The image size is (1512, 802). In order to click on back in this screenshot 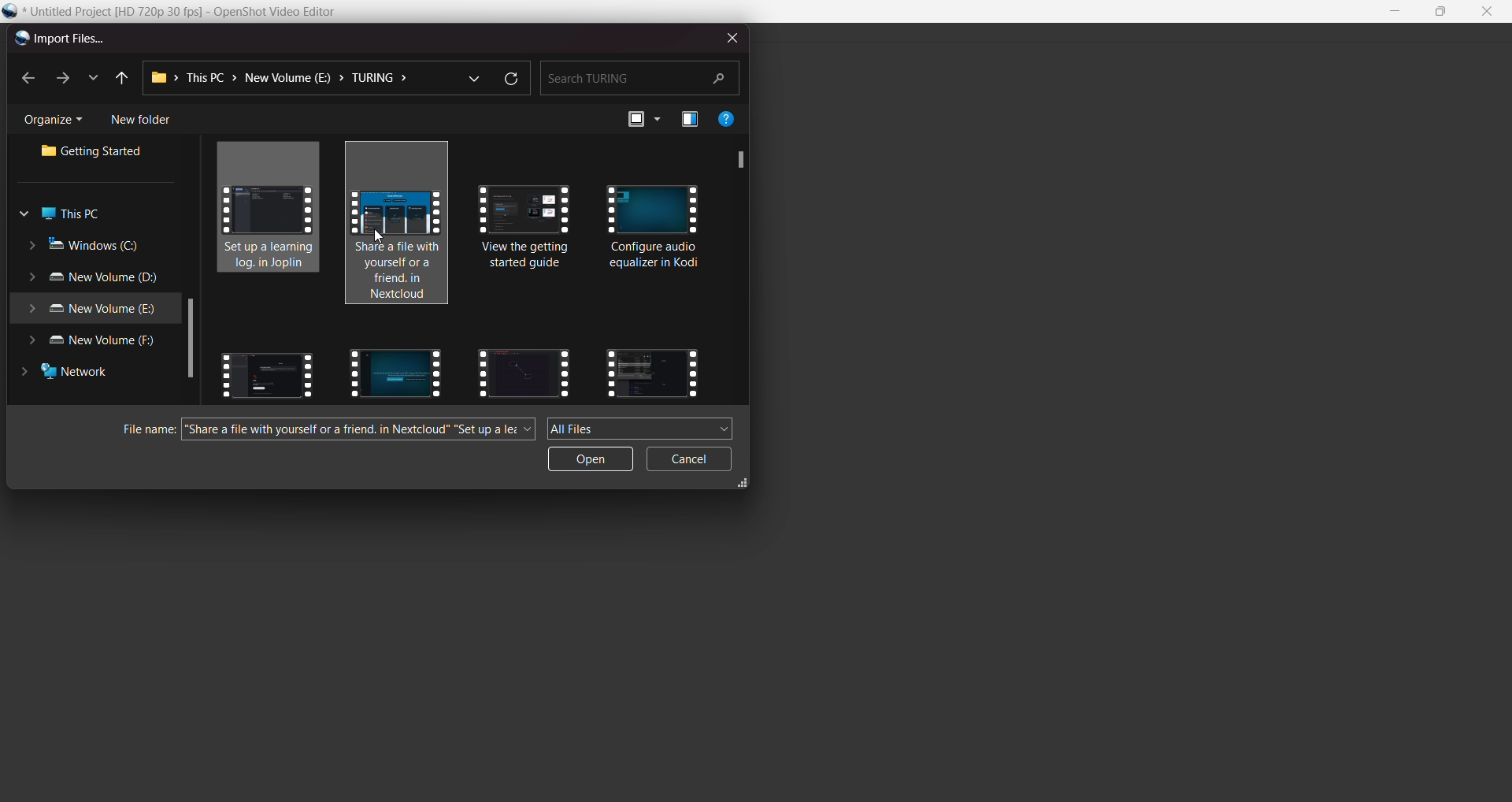, I will do `click(29, 80)`.